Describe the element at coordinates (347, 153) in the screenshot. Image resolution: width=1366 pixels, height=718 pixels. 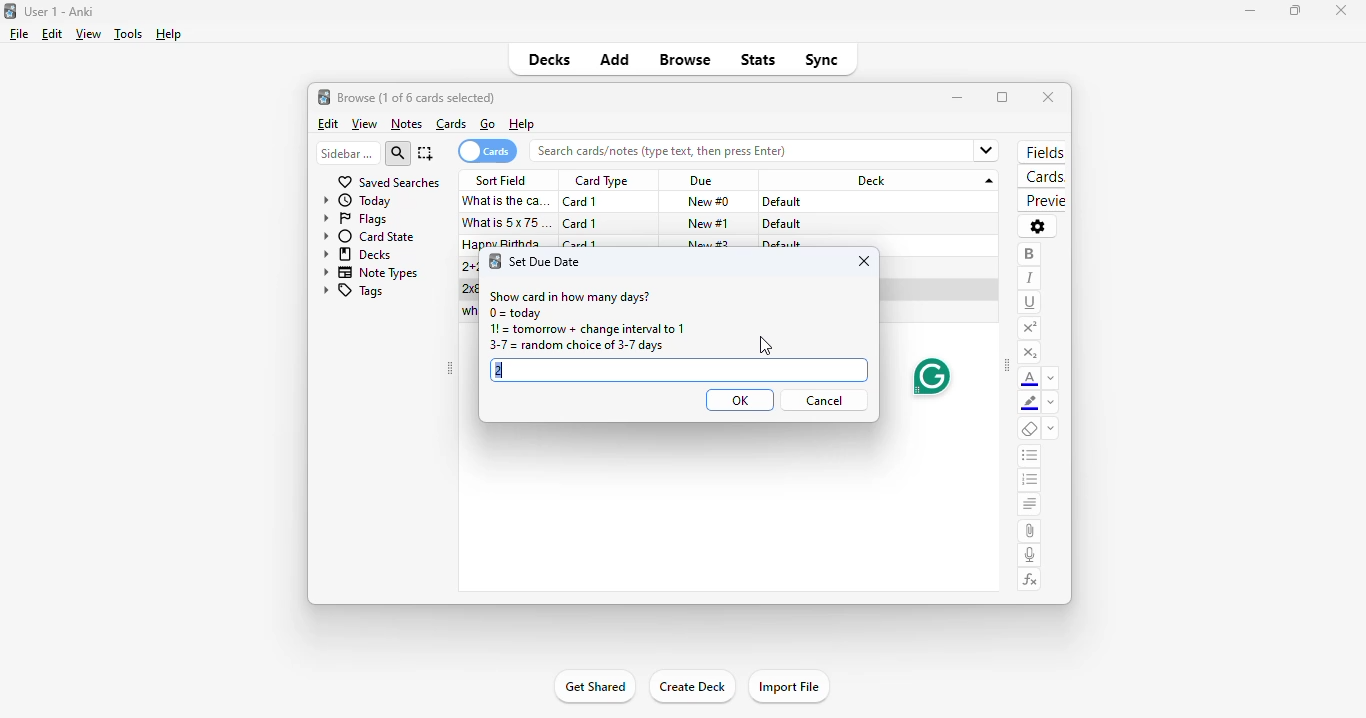
I see `sidebar filter` at that location.